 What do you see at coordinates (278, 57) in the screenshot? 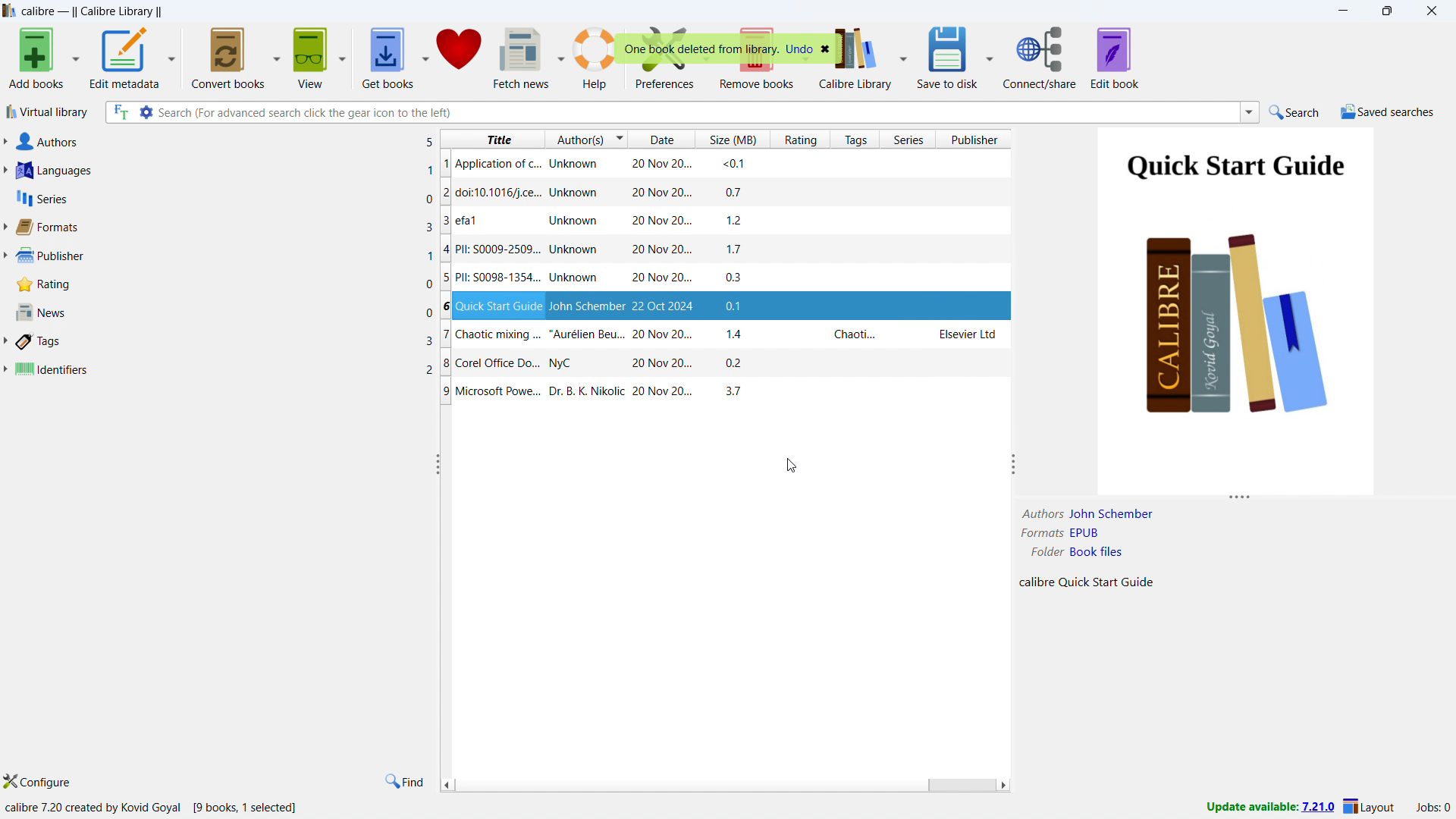
I see `convert books options` at bounding box center [278, 57].